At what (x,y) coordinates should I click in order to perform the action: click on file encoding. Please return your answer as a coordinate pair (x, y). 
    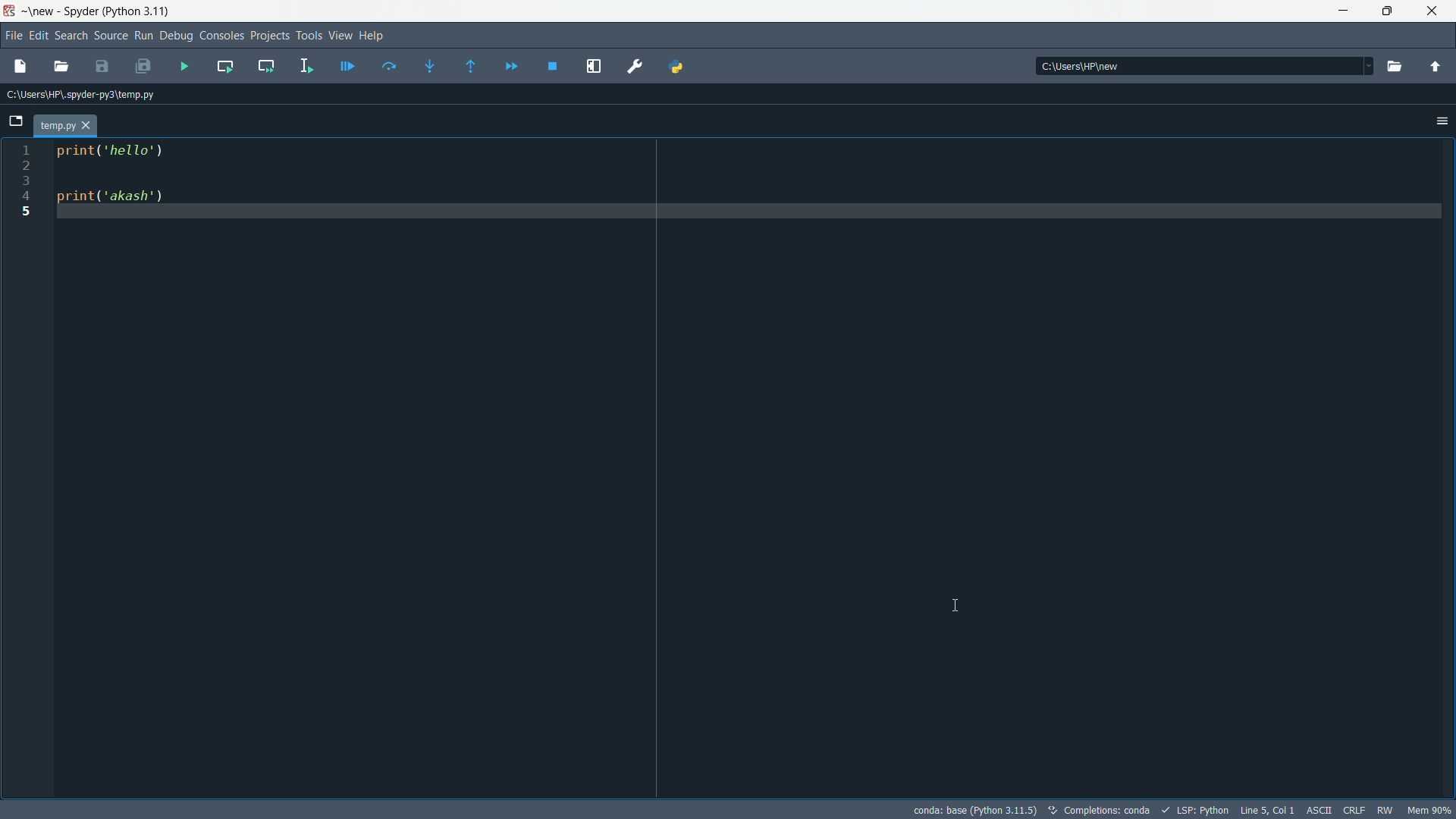
    Looking at the image, I should click on (1320, 810).